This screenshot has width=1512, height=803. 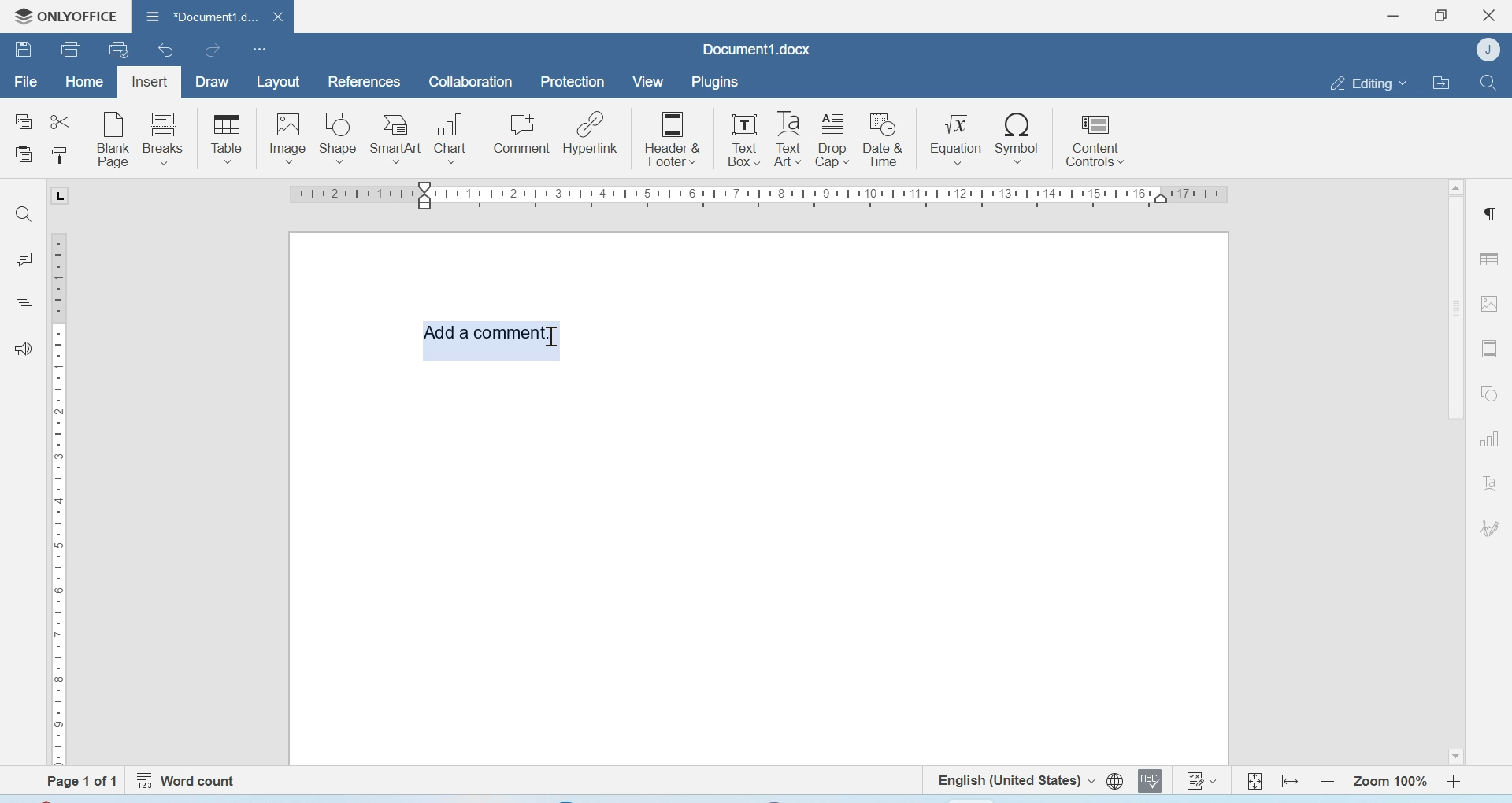 What do you see at coordinates (63, 195) in the screenshot?
I see `tab stop marker` at bounding box center [63, 195].